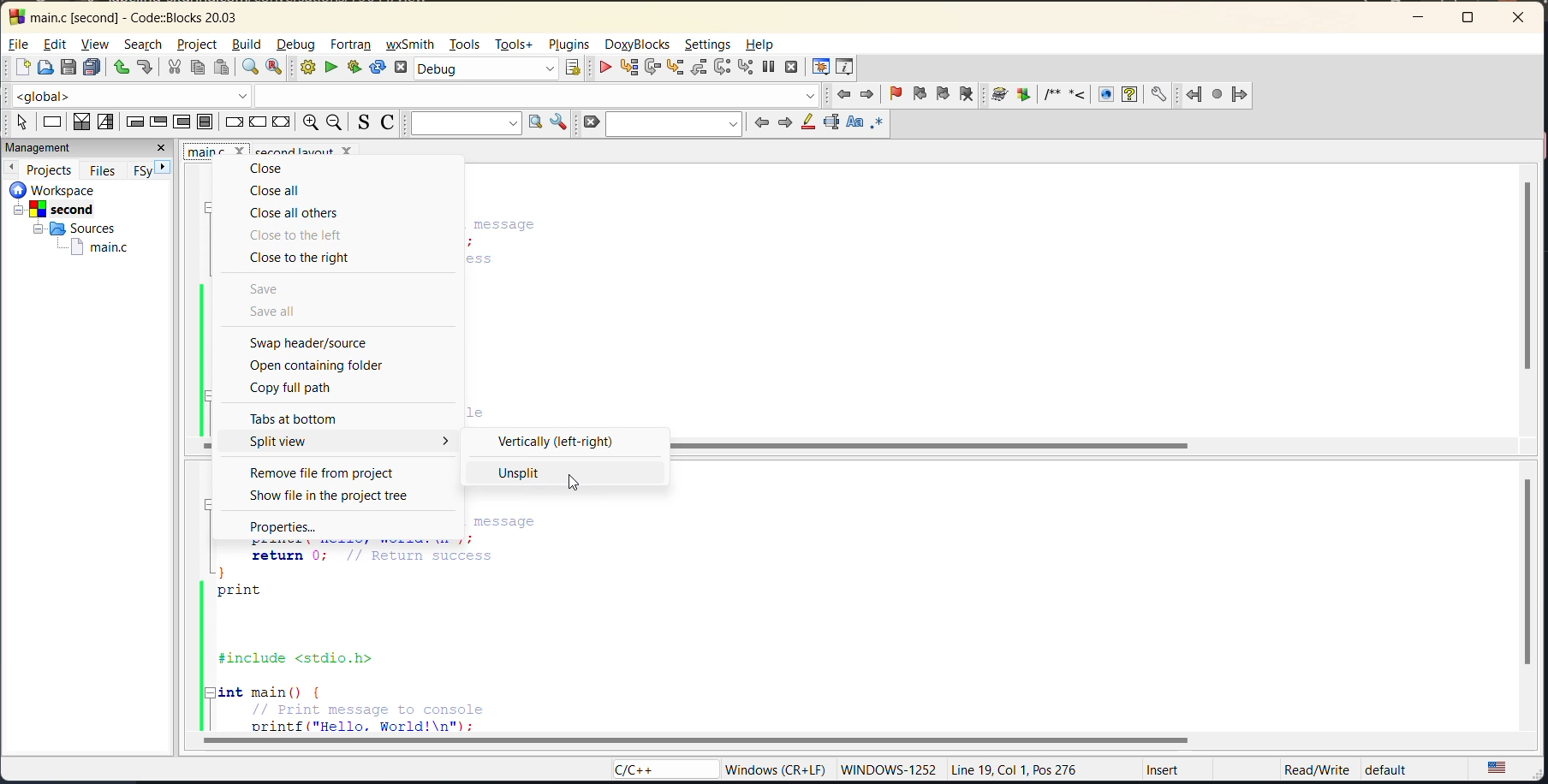  I want to click on unsplit, so click(515, 473).